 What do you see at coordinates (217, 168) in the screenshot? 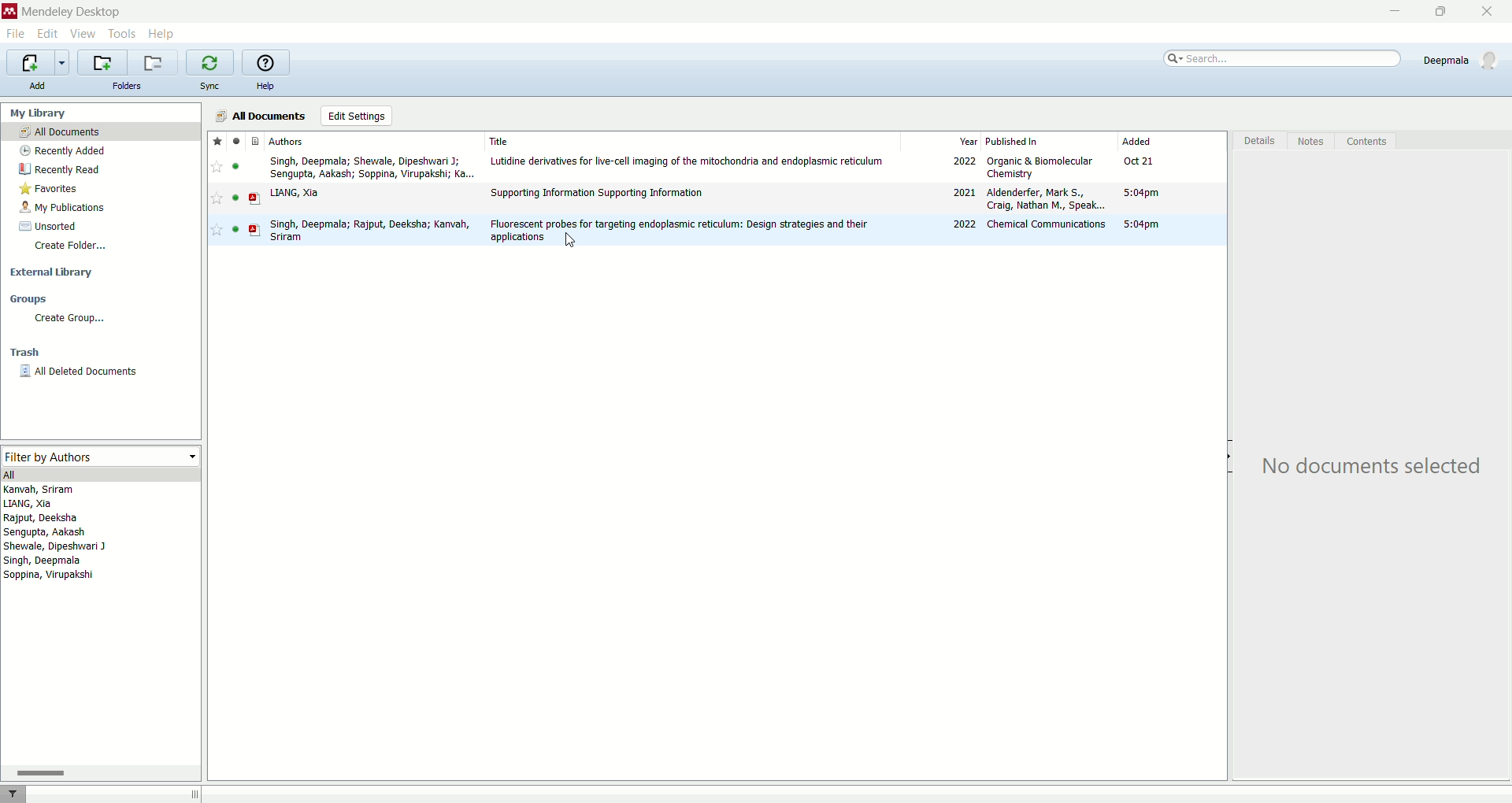
I see `favorite` at bounding box center [217, 168].